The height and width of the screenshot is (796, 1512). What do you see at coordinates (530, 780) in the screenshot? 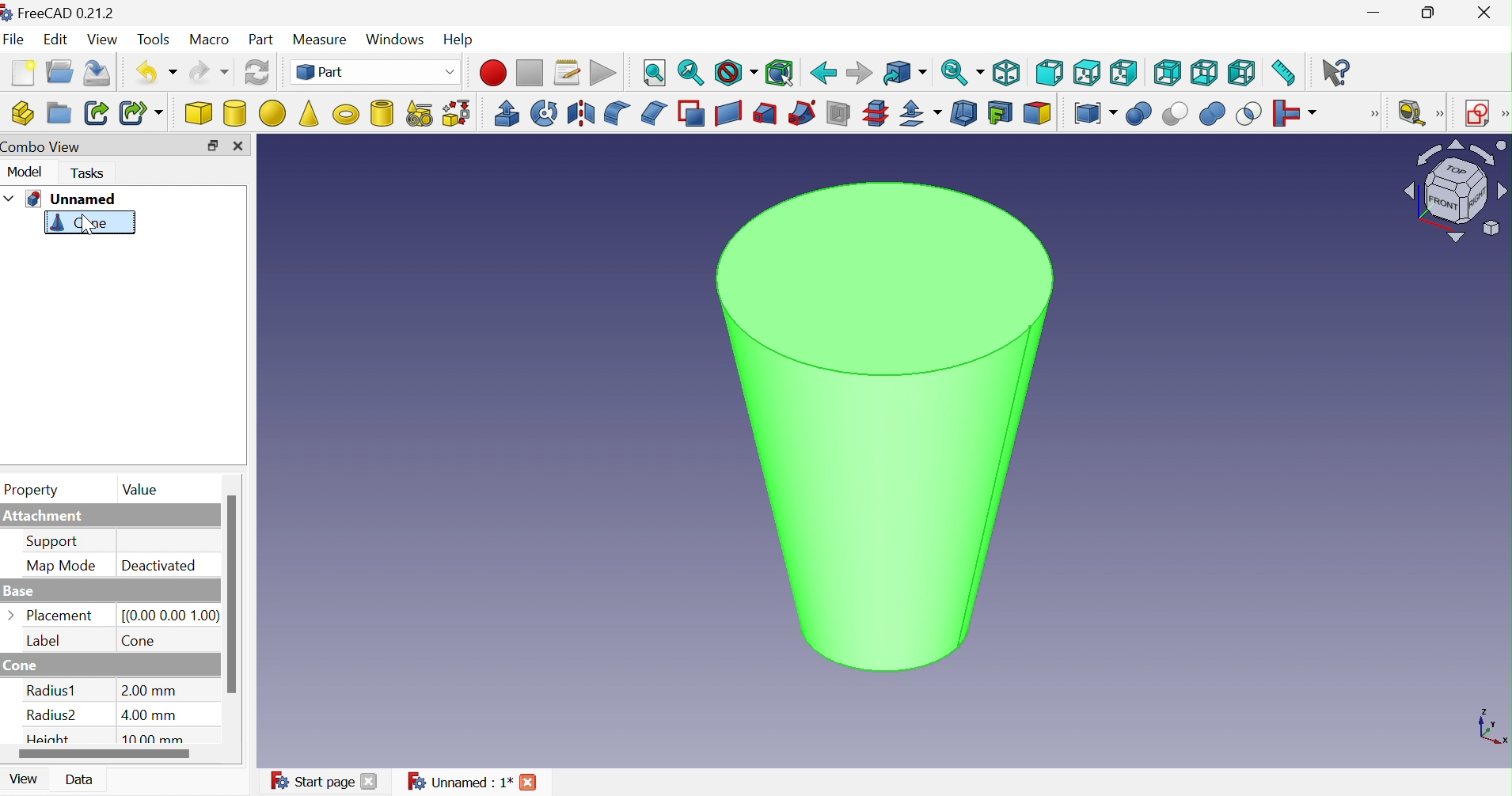
I see `Close` at bounding box center [530, 780].